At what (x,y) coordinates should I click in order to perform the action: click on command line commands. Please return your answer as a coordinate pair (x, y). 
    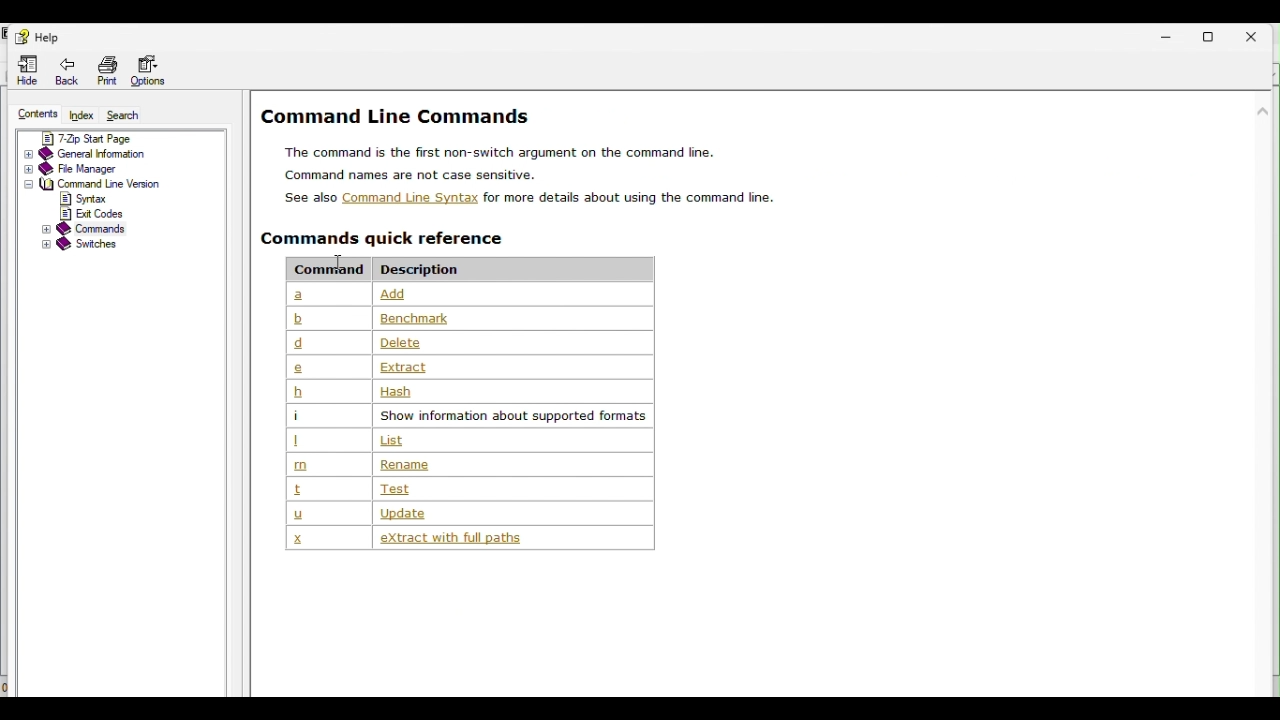
    Looking at the image, I should click on (399, 114).